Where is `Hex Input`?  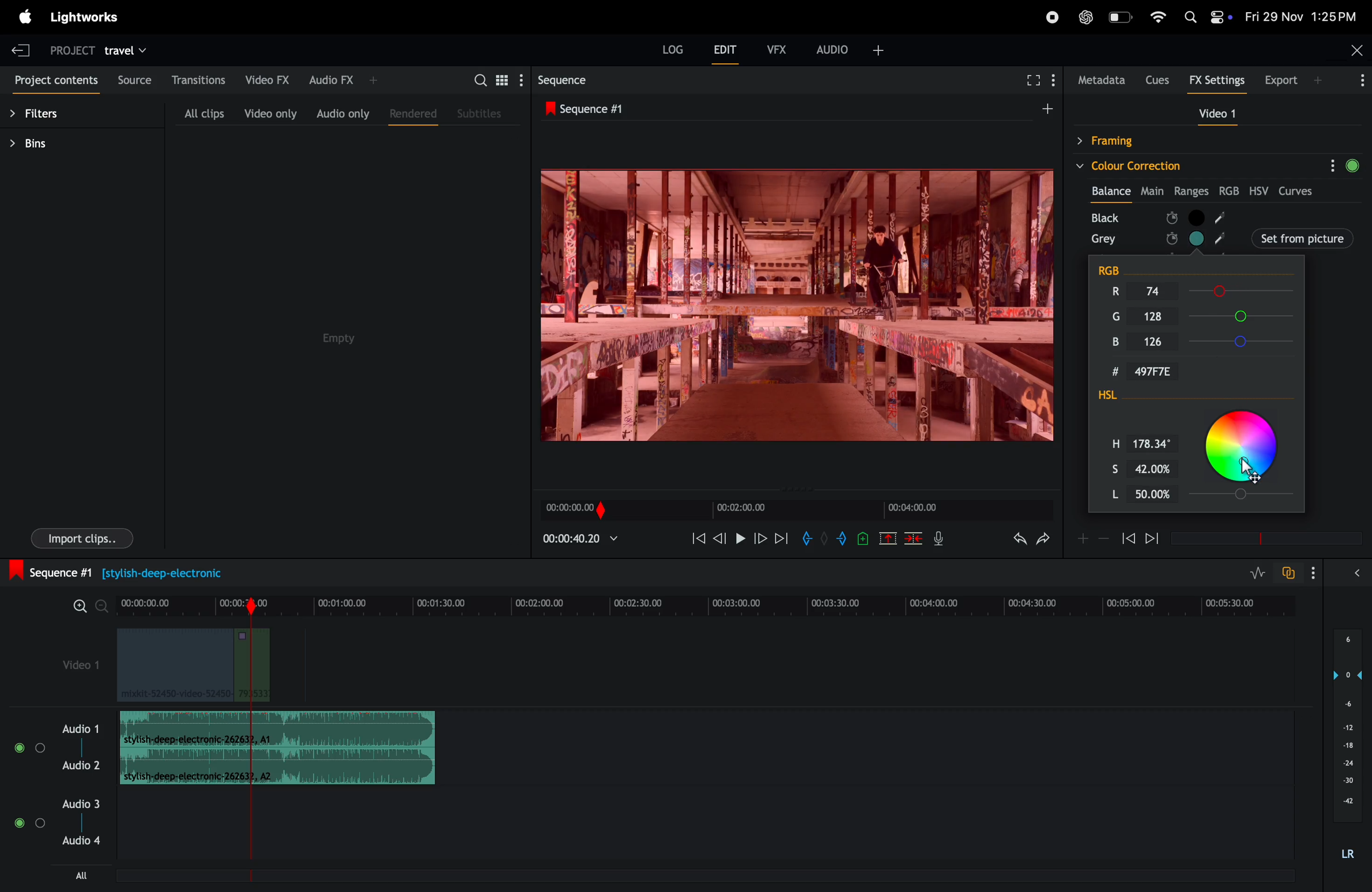 Hex Input is located at coordinates (1159, 372).